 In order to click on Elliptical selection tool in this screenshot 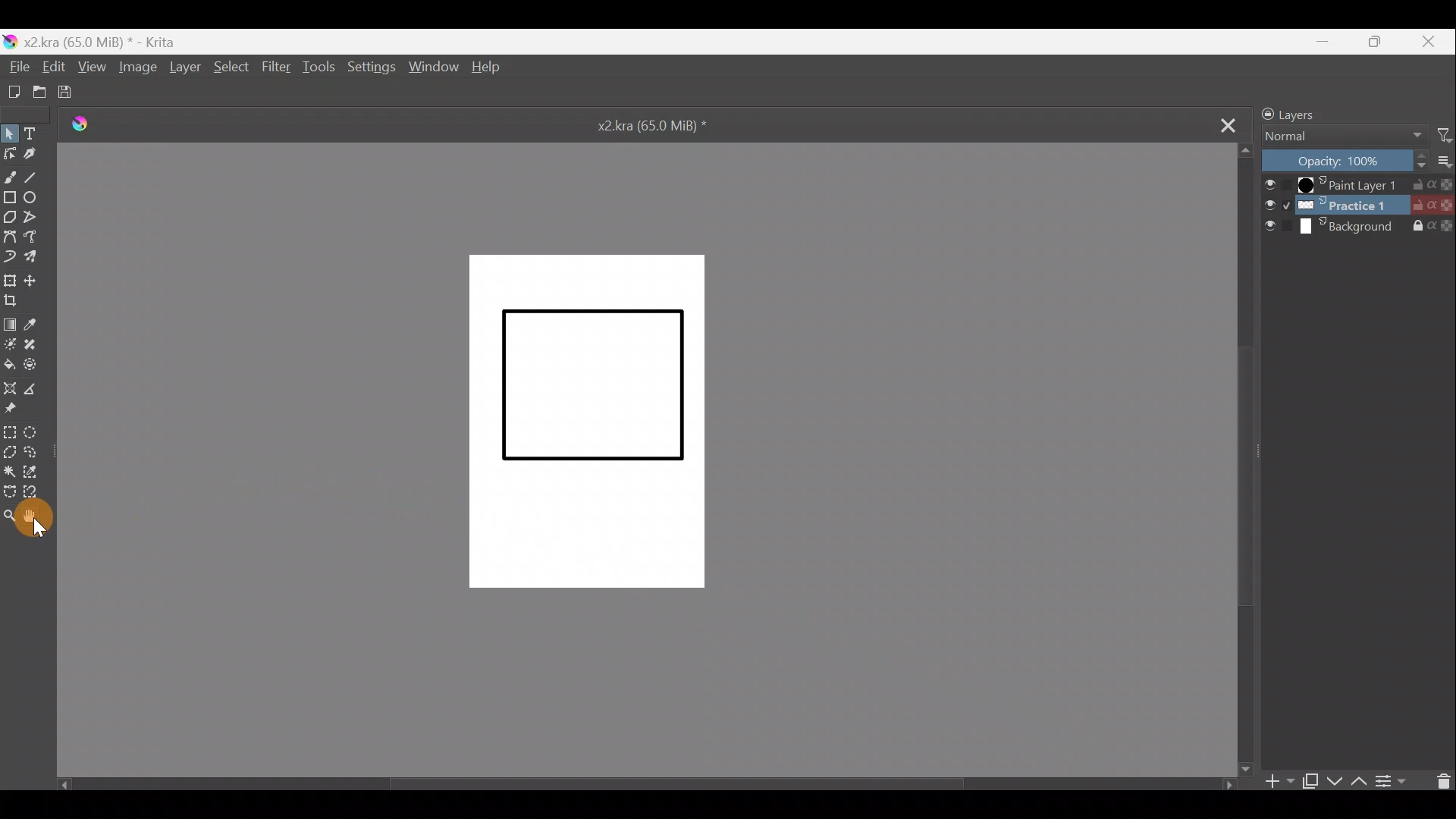, I will do `click(35, 434)`.